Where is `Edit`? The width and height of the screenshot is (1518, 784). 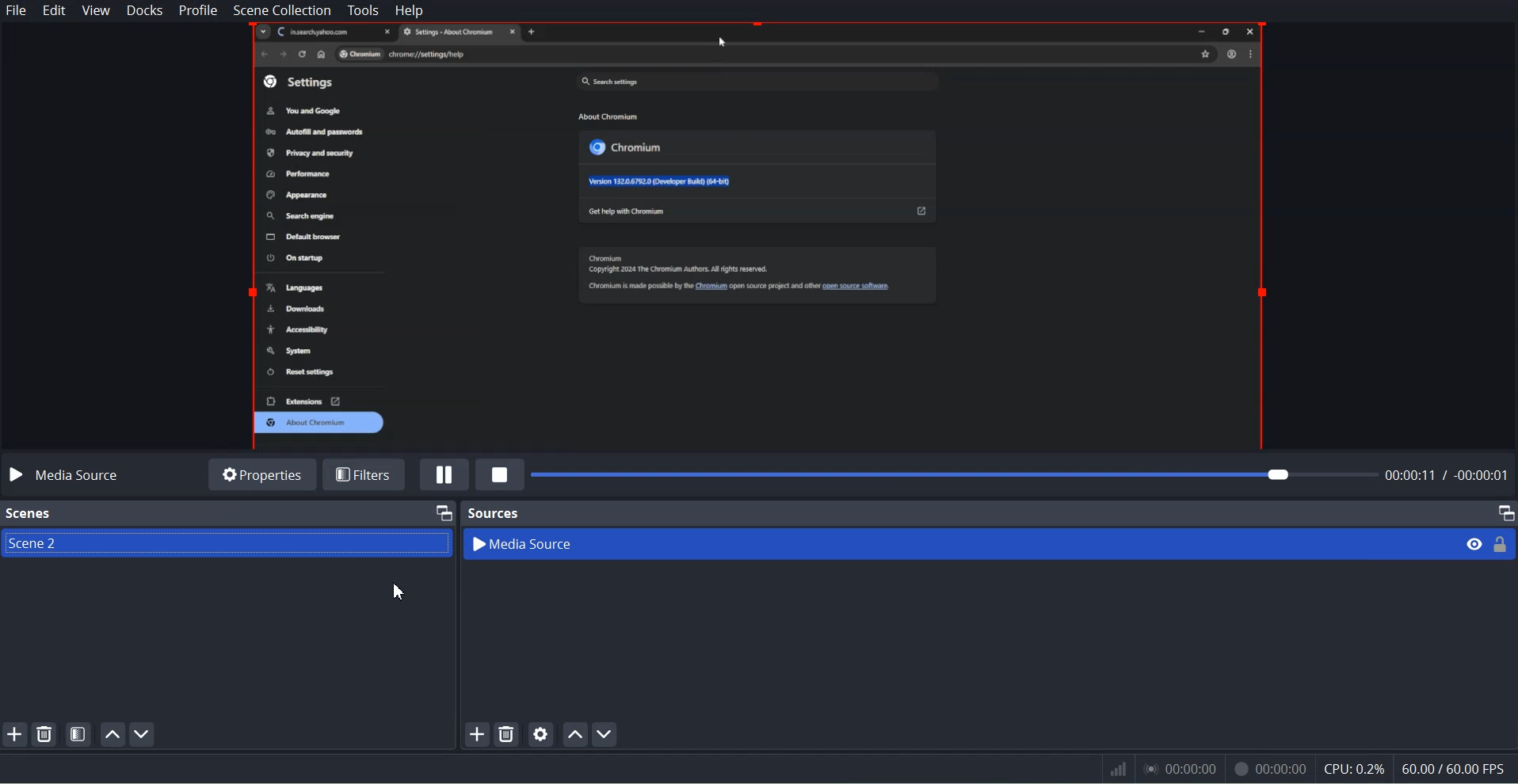
Edit is located at coordinates (52, 10).